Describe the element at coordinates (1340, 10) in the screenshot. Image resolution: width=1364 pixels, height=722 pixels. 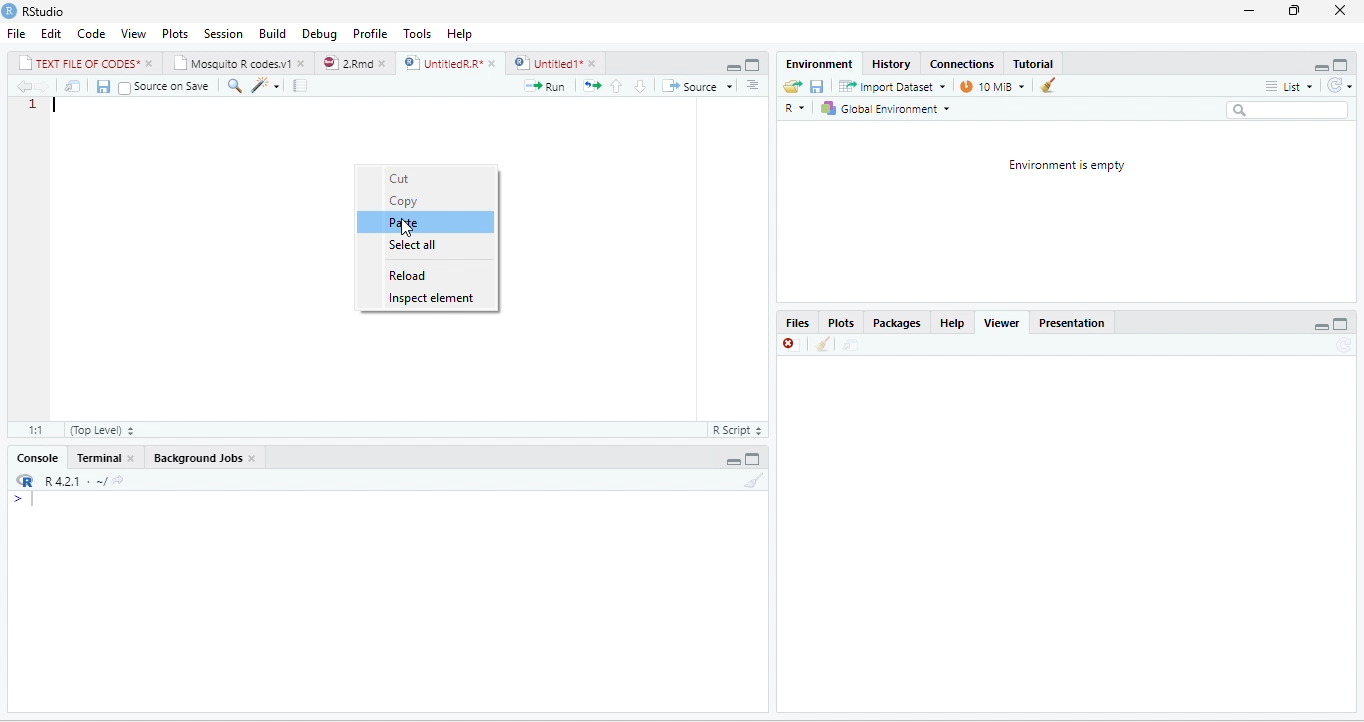
I see `close` at that location.